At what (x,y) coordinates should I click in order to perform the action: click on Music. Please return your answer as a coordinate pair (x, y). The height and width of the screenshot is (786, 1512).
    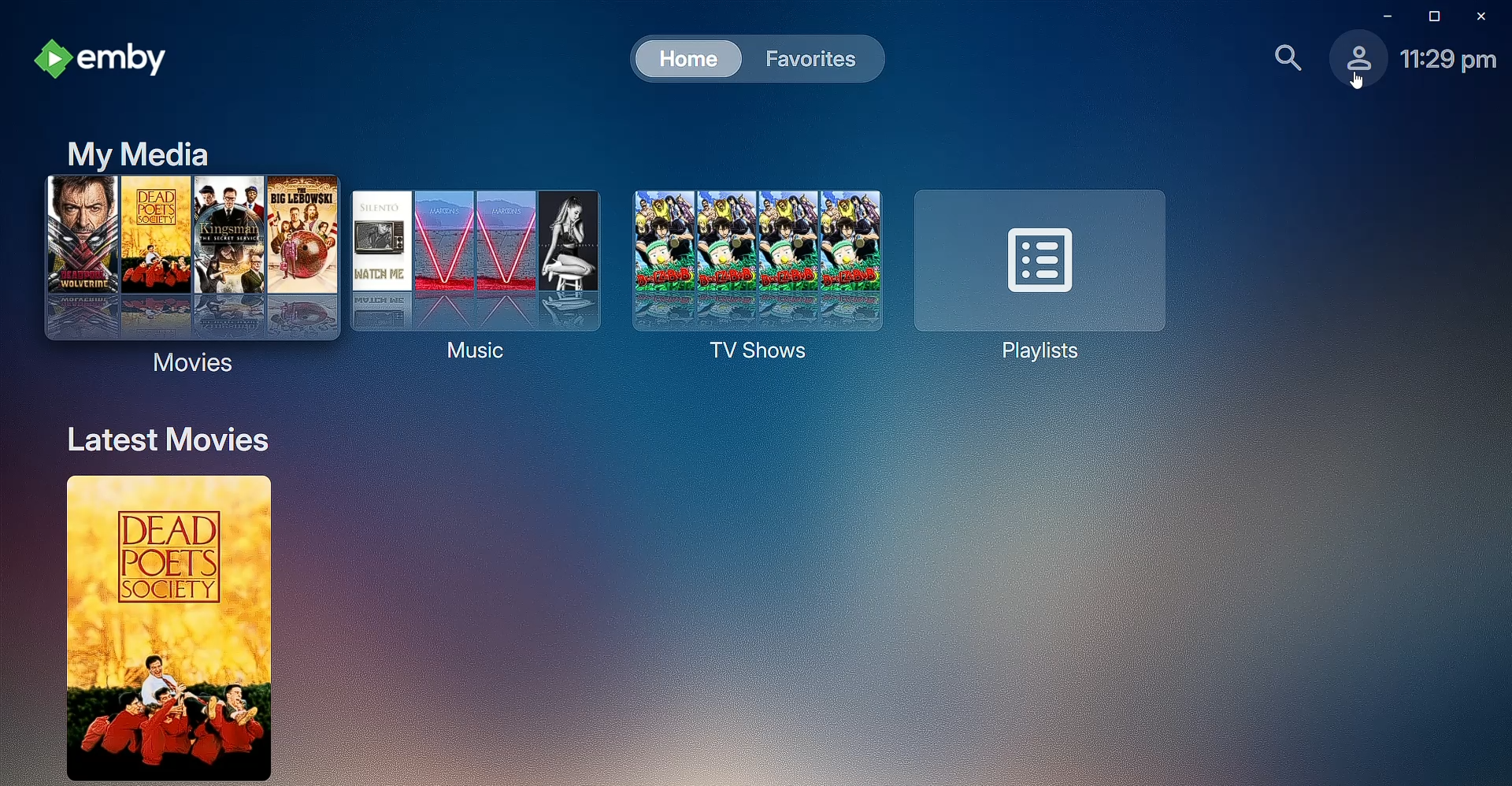
    Looking at the image, I should click on (468, 269).